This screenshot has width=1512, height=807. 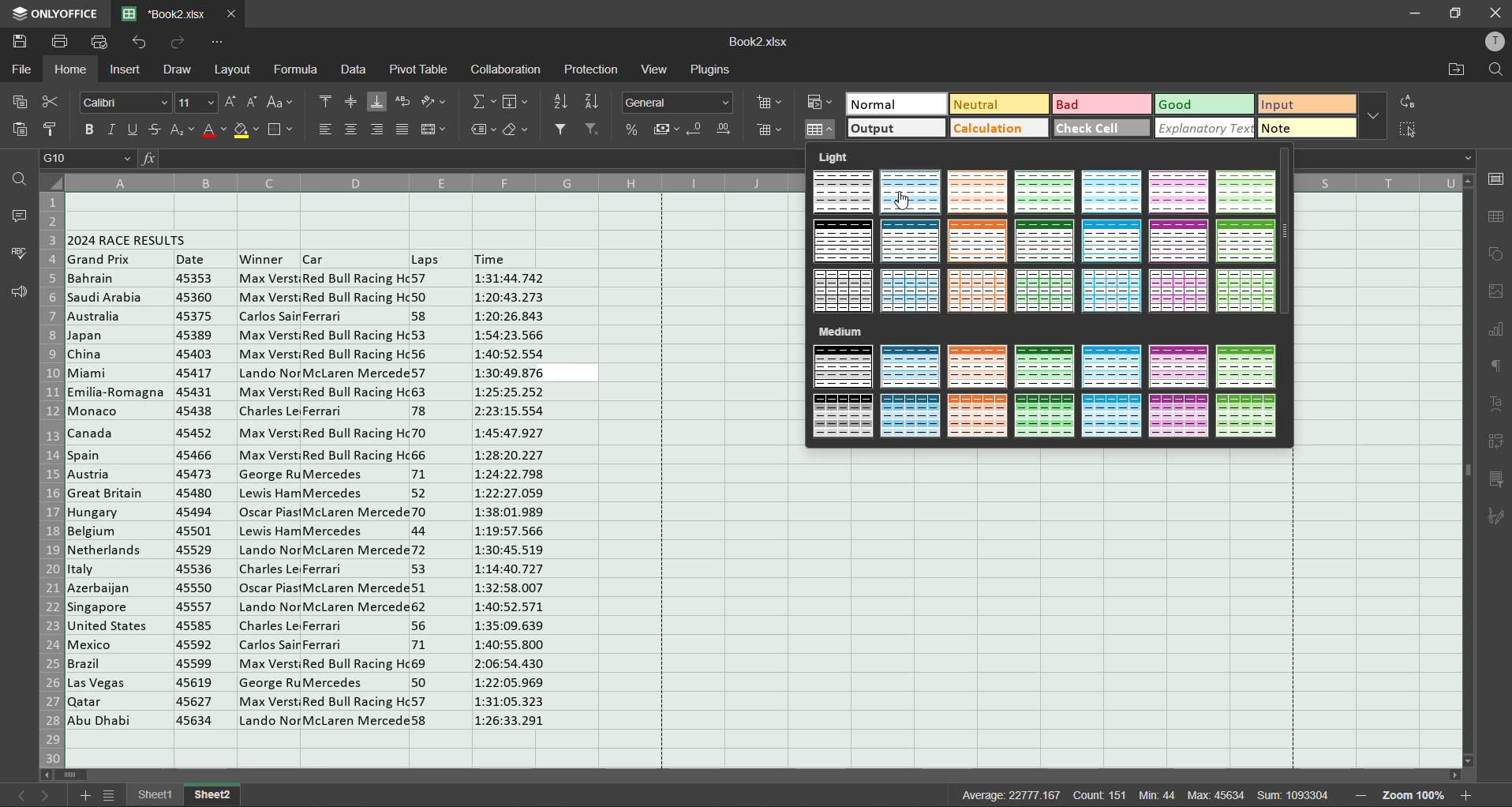 What do you see at coordinates (103, 43) in the screenshot?
I see `quick print` at bounding box center [103, 43].